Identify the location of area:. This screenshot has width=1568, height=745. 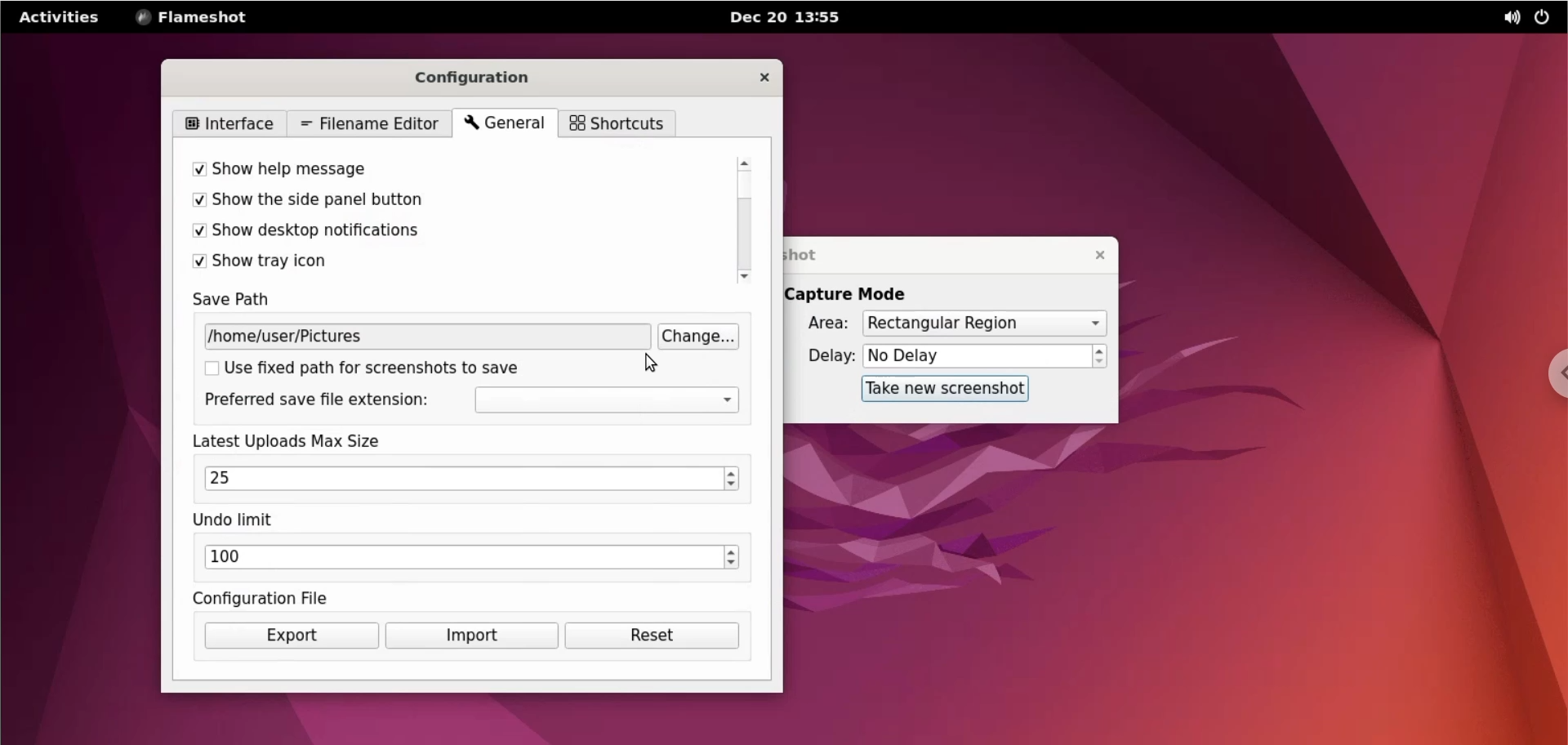
(822, 322).